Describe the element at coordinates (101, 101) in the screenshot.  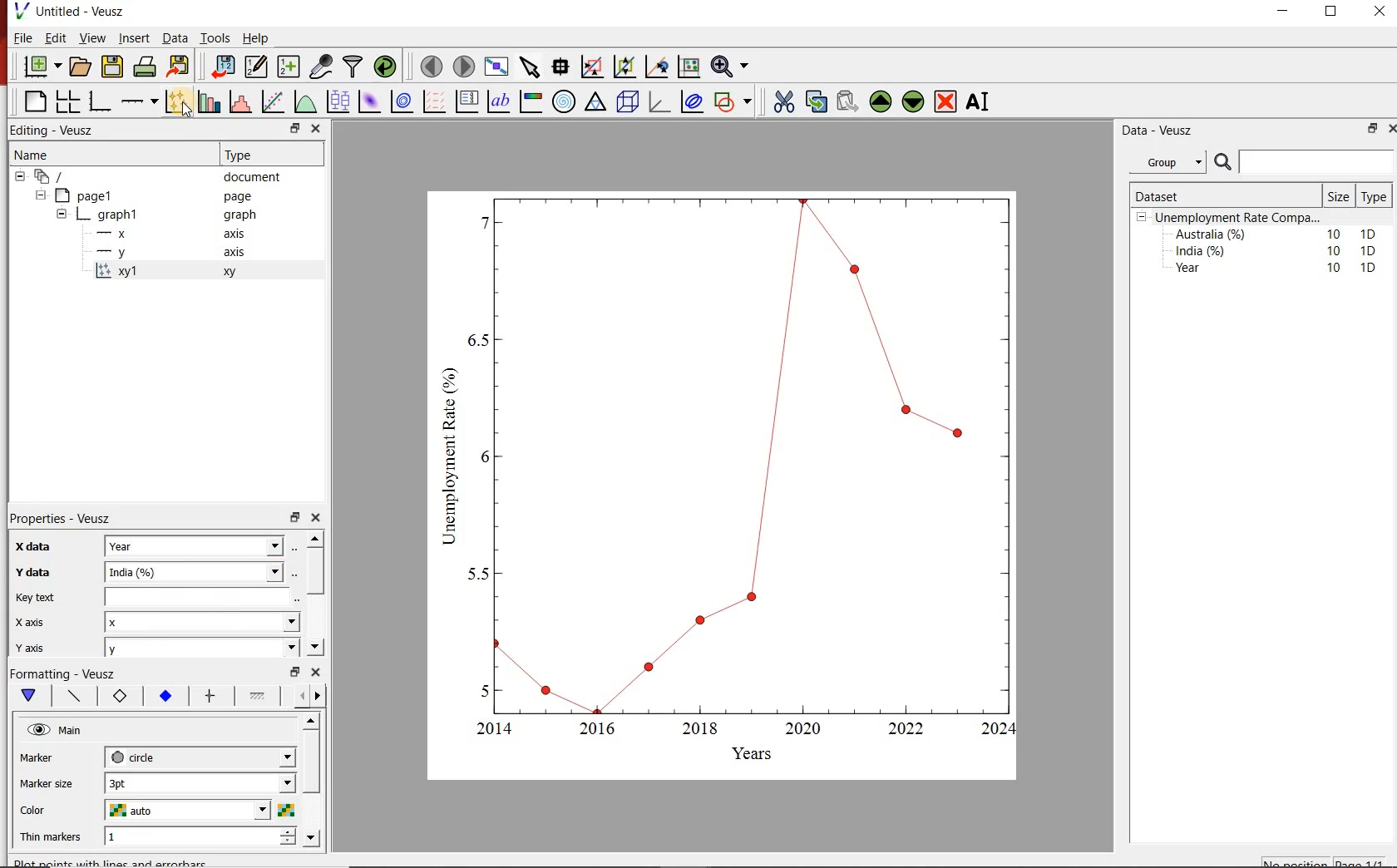
I see `base graphs` at that location.